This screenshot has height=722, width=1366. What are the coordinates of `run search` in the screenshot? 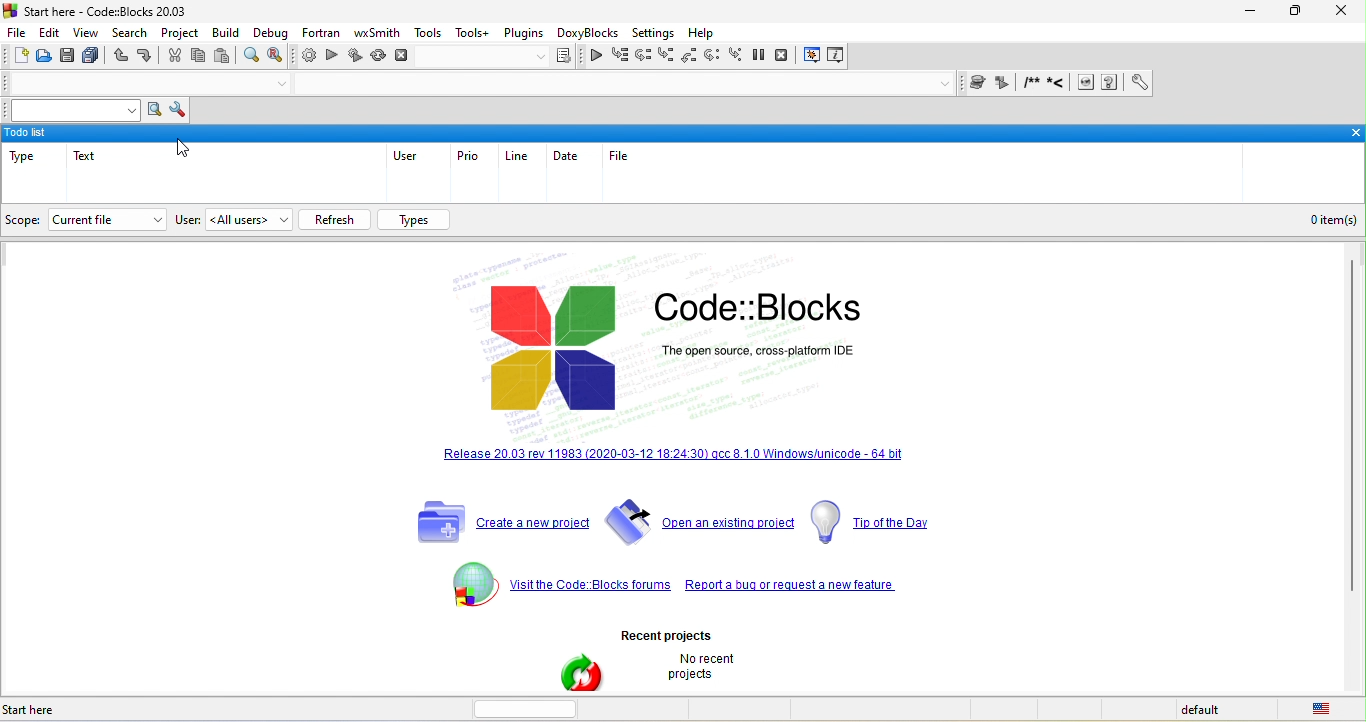 It's located at (154, 111).